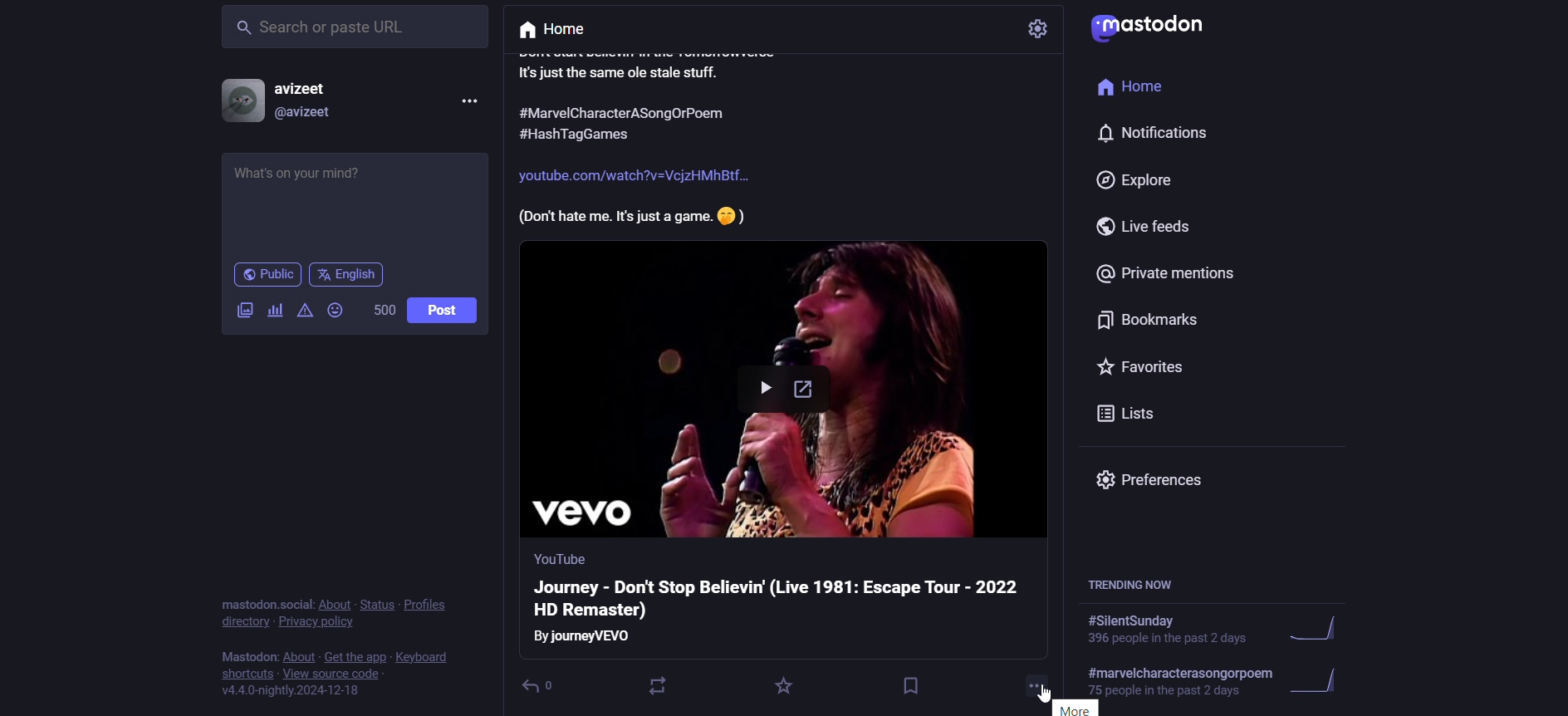  Describe the element at coordinates (1144, 365) in the screenshot. I see `favorites` at that location.